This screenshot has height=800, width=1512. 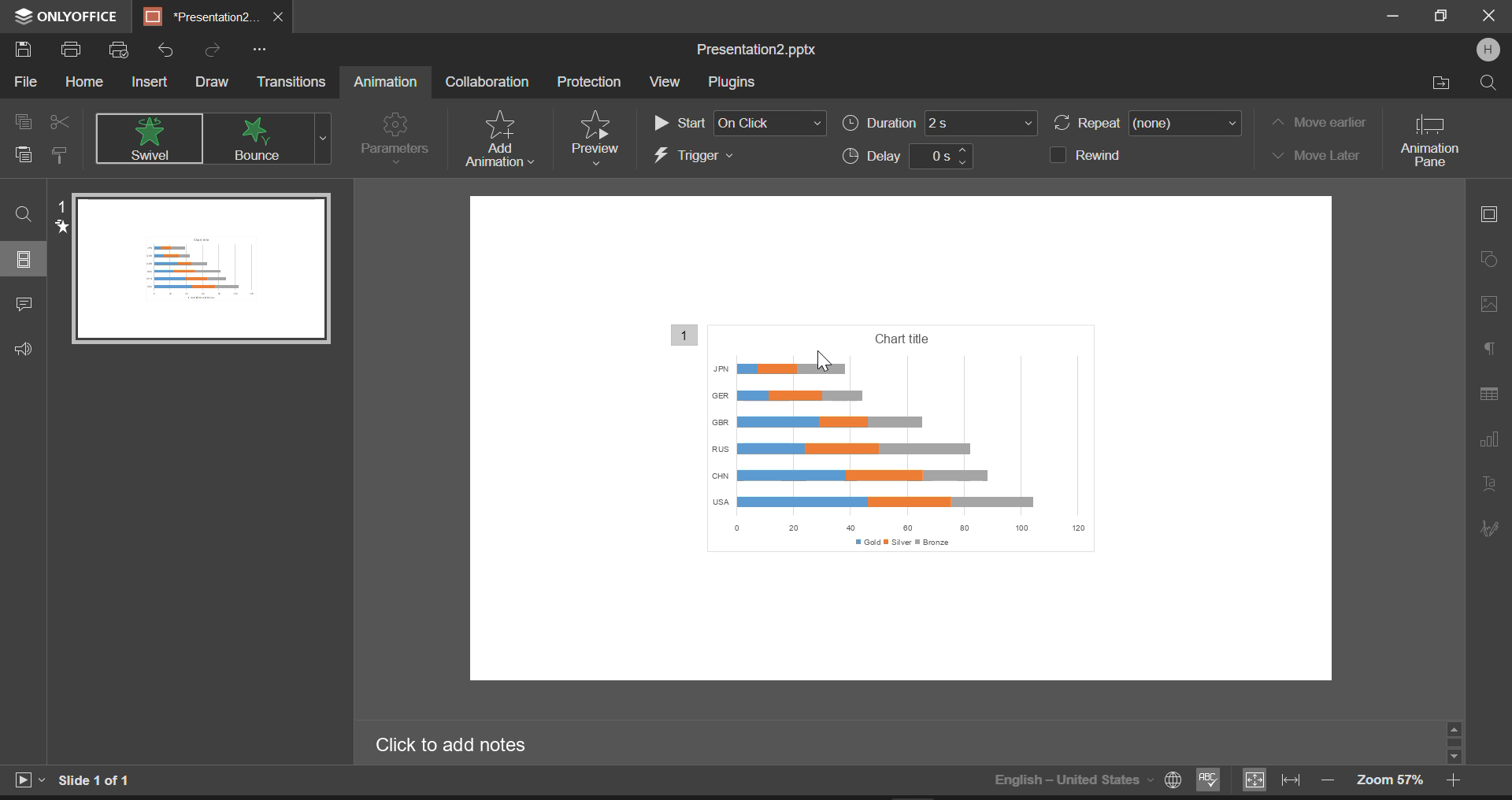 I want to click on Comments, so click(x=24, y=306).